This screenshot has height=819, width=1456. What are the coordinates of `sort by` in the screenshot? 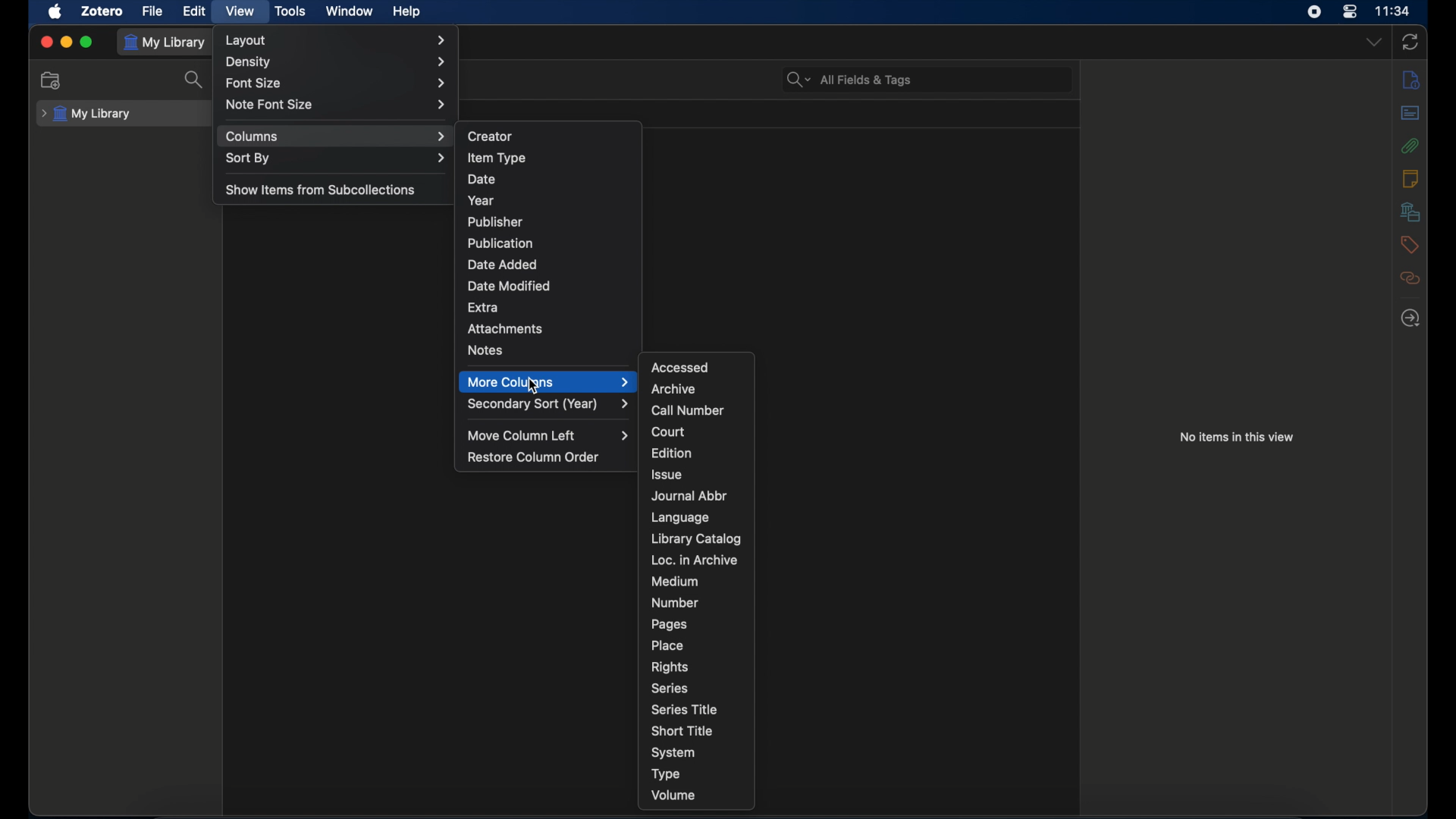 It's located at (336, 158).